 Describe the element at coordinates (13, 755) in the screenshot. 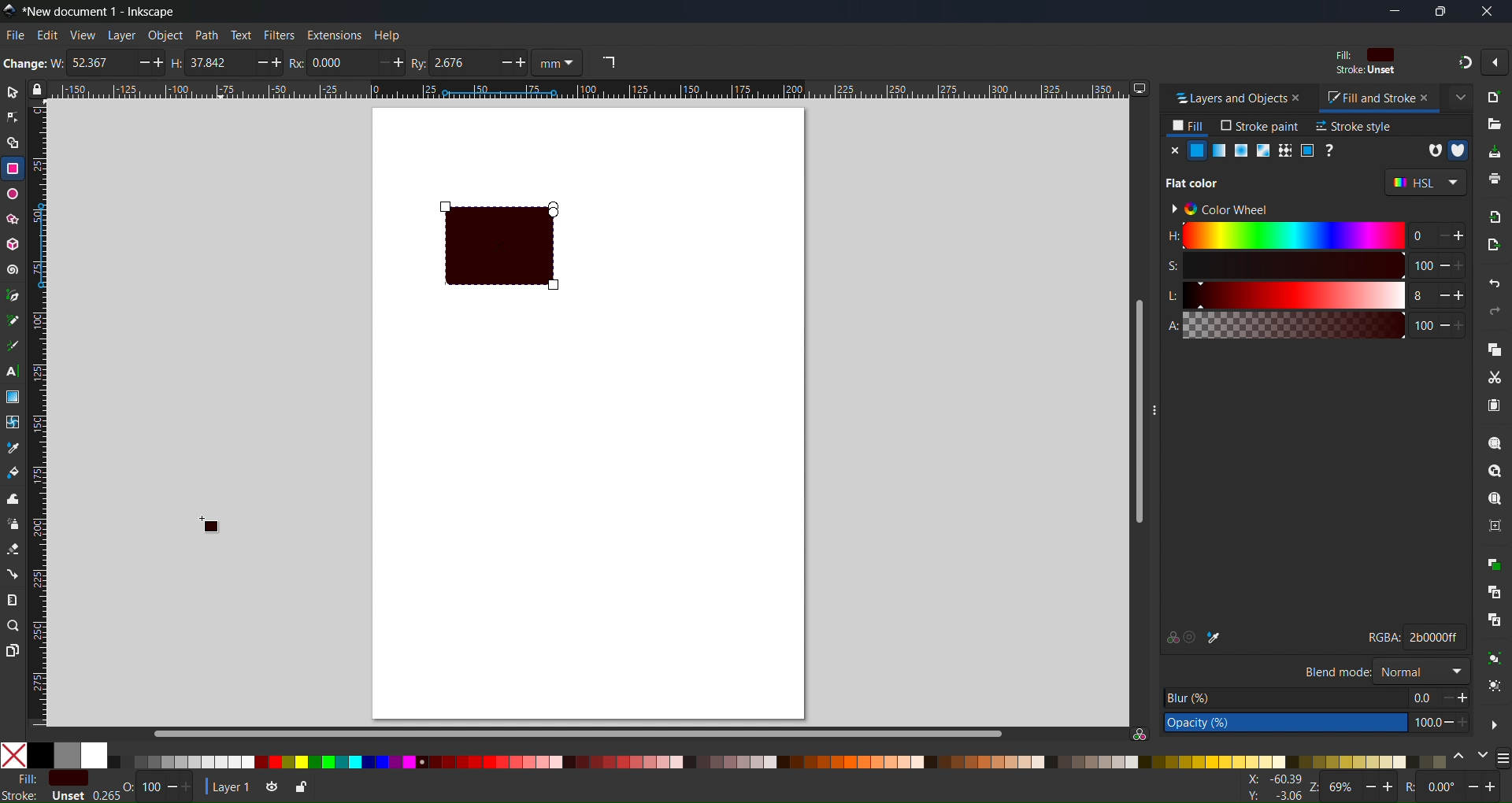

I see `None` at that location.